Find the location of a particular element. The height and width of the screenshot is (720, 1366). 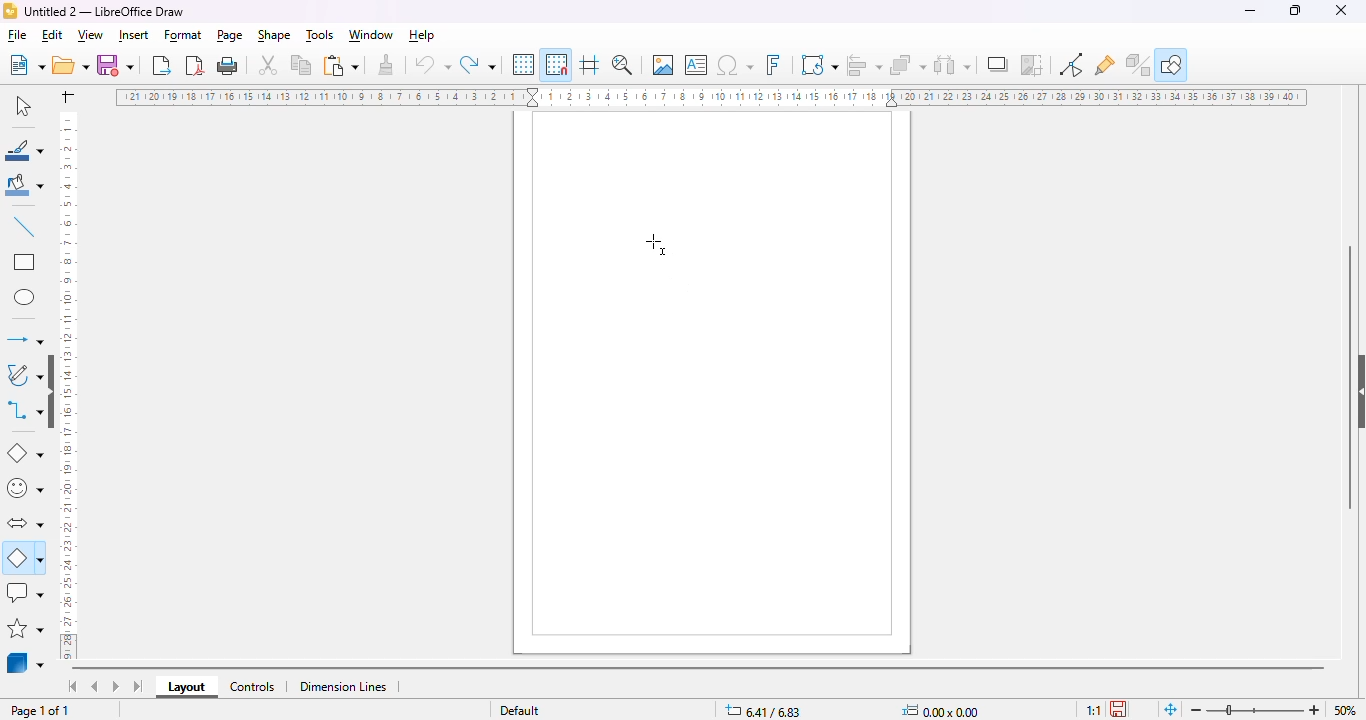

tools is located at coordinates (318, 36).